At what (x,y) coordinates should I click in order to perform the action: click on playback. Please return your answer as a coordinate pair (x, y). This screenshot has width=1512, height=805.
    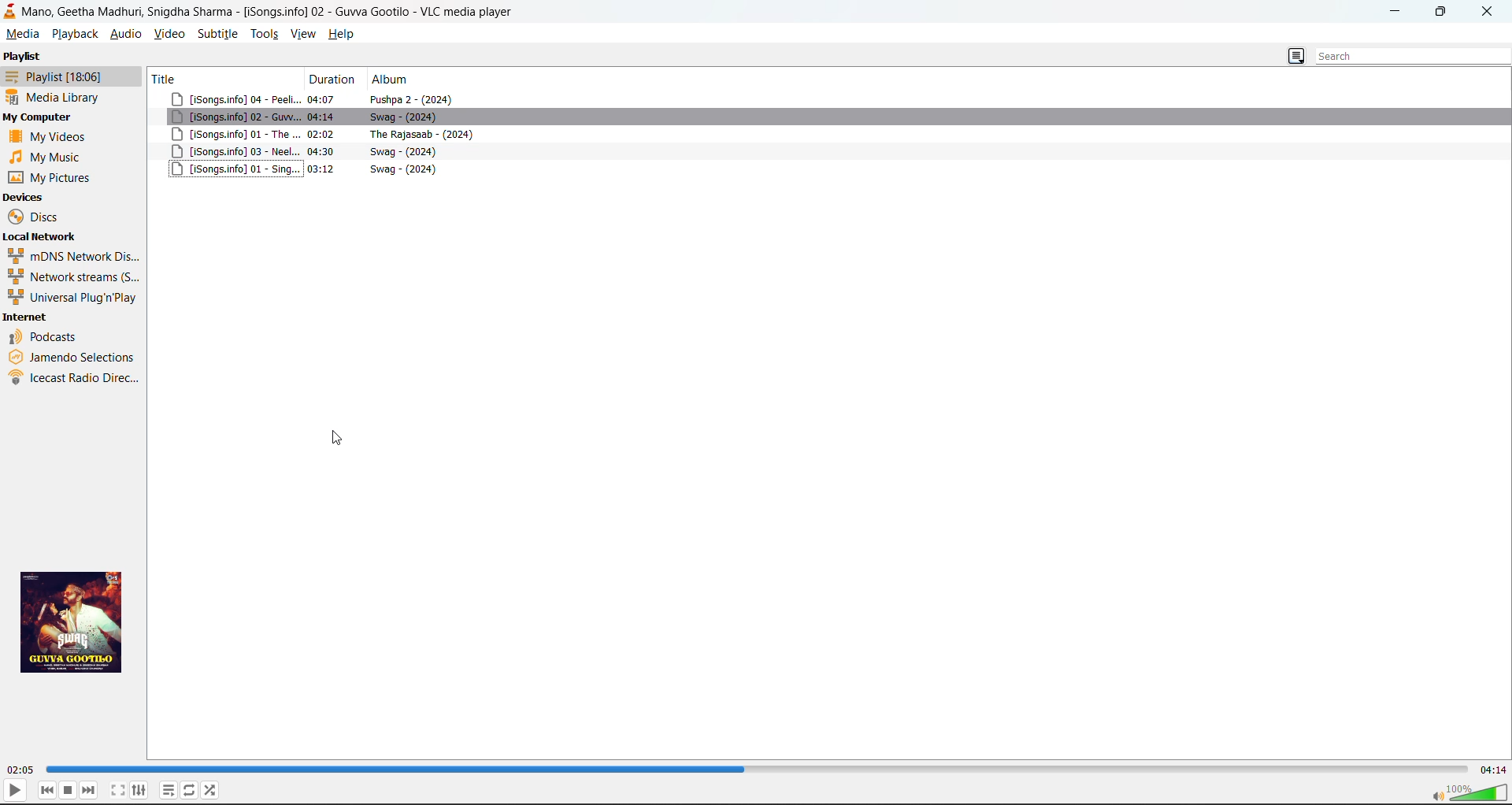
    Looking at the image, I should click on (75, 35).